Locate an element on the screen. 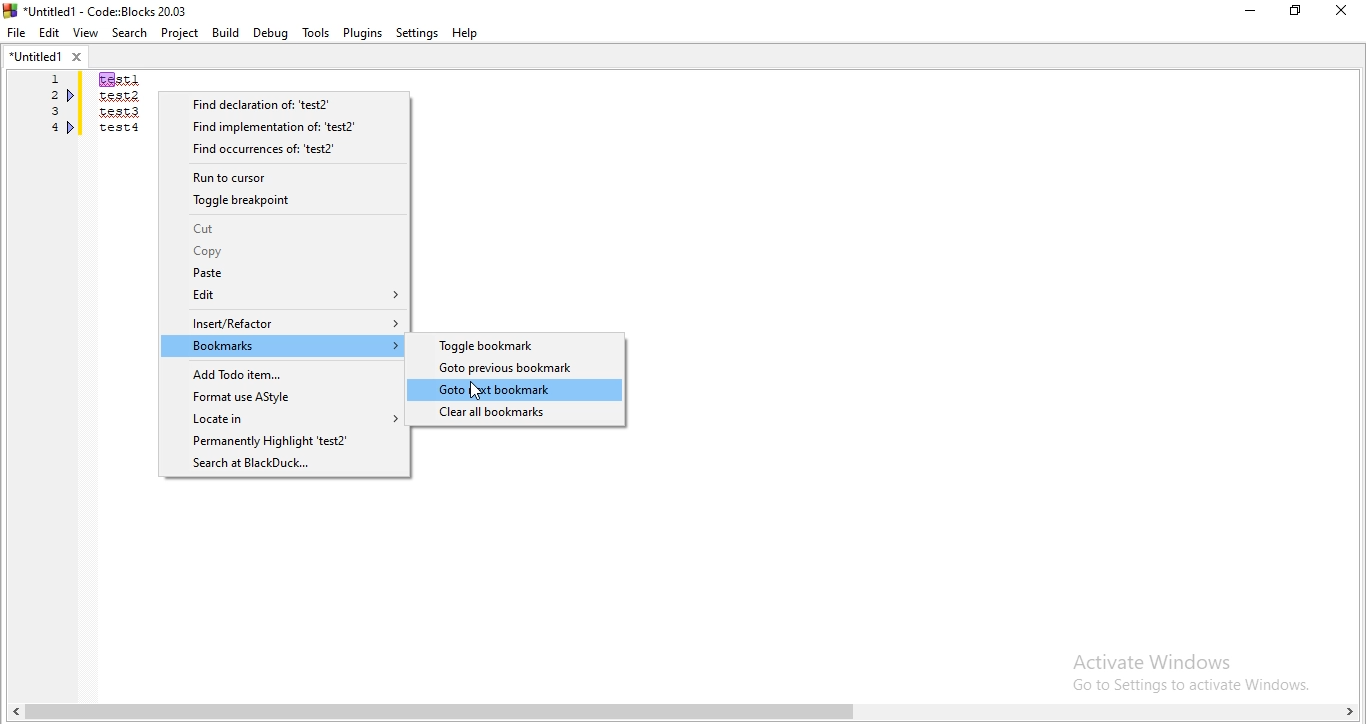 The width and height of the screenshot is (1366, 724). Maximize is located at coordinates (1299, 13).